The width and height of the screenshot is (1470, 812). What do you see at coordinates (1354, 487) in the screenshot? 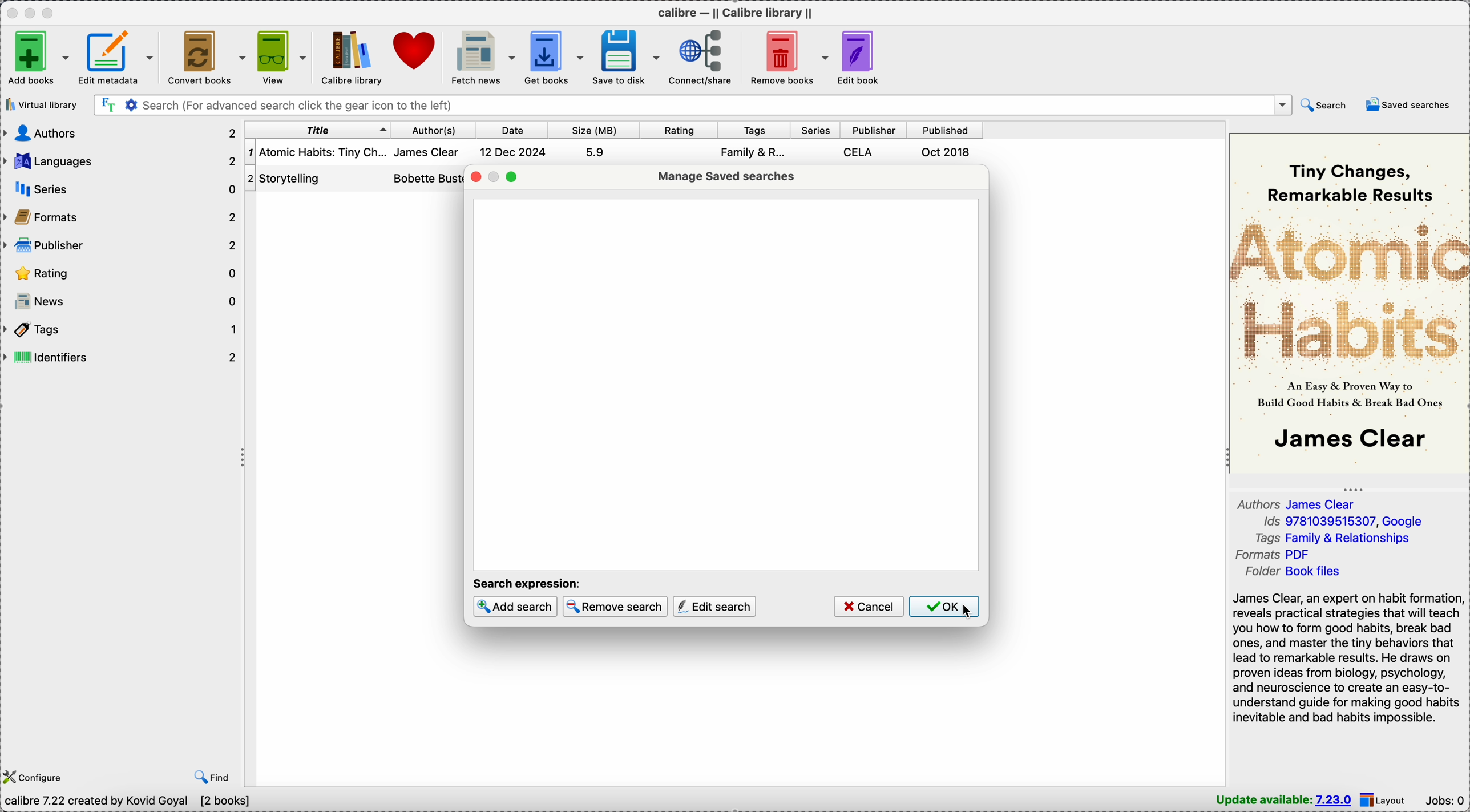
I see `drag  handle` at bounding box center [1354, 487].